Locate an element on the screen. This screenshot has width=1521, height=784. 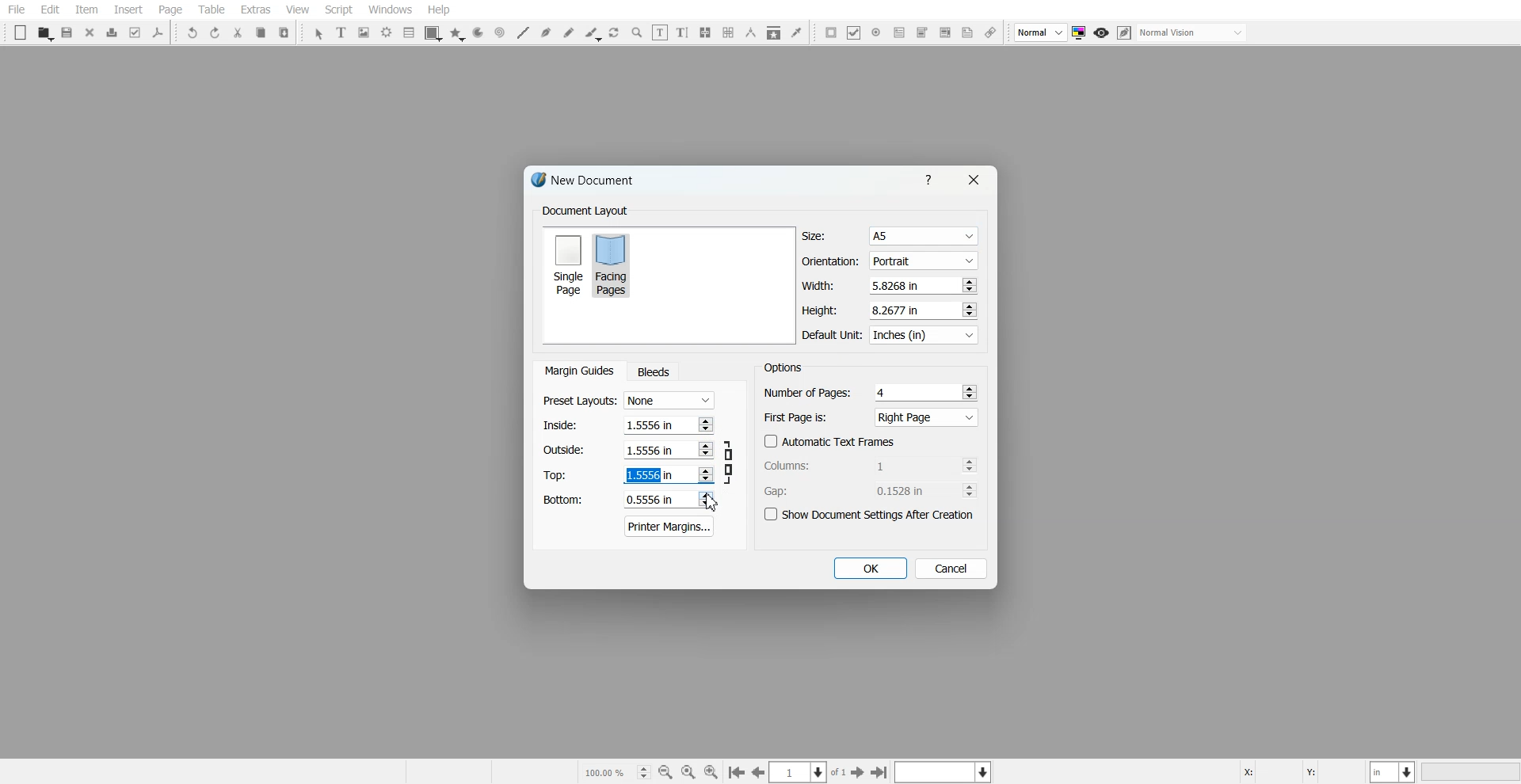
Close is located at coordinates (972, 180).